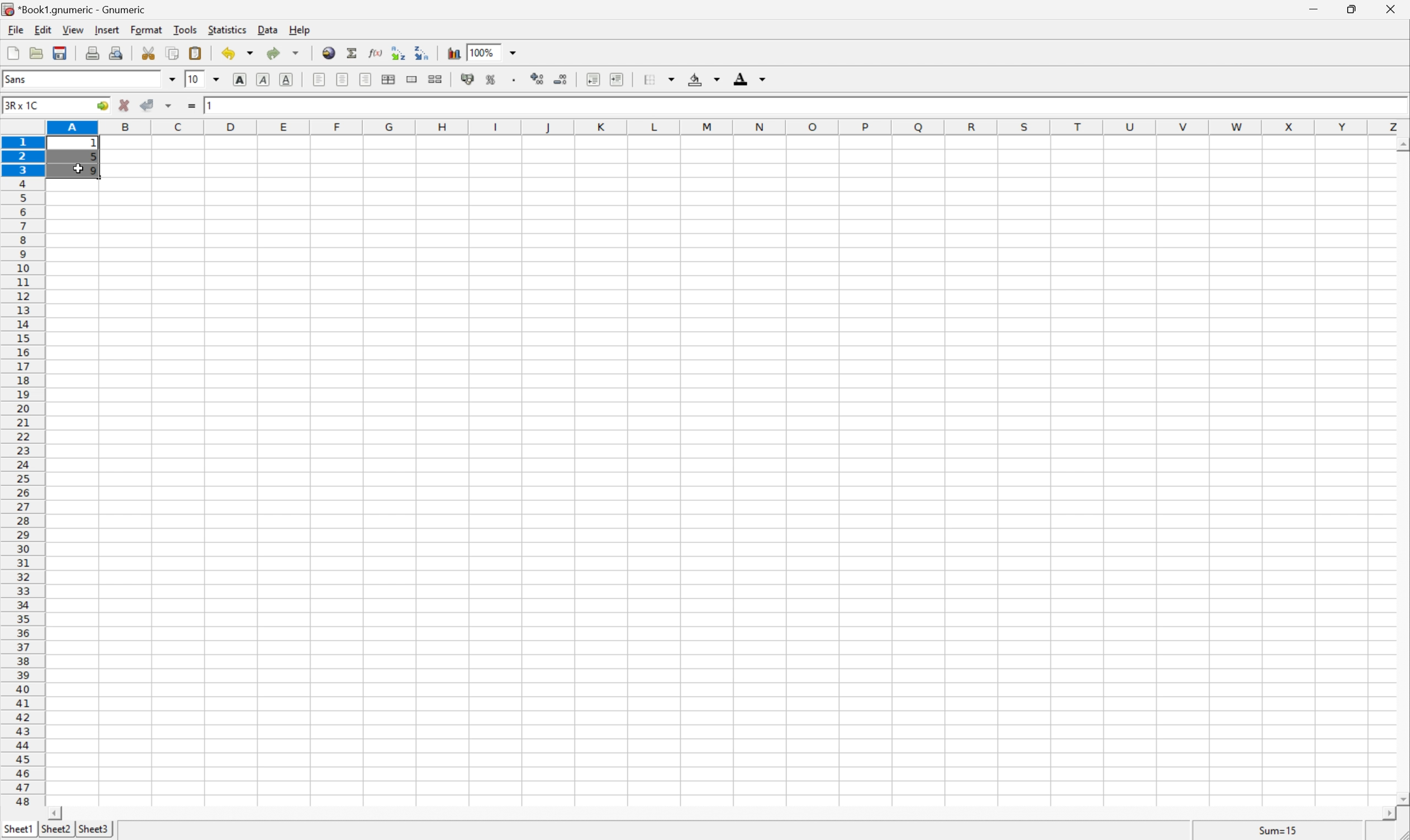 The image size is (1410, 840). I want to click on sum in current cell, so click(354, 53).